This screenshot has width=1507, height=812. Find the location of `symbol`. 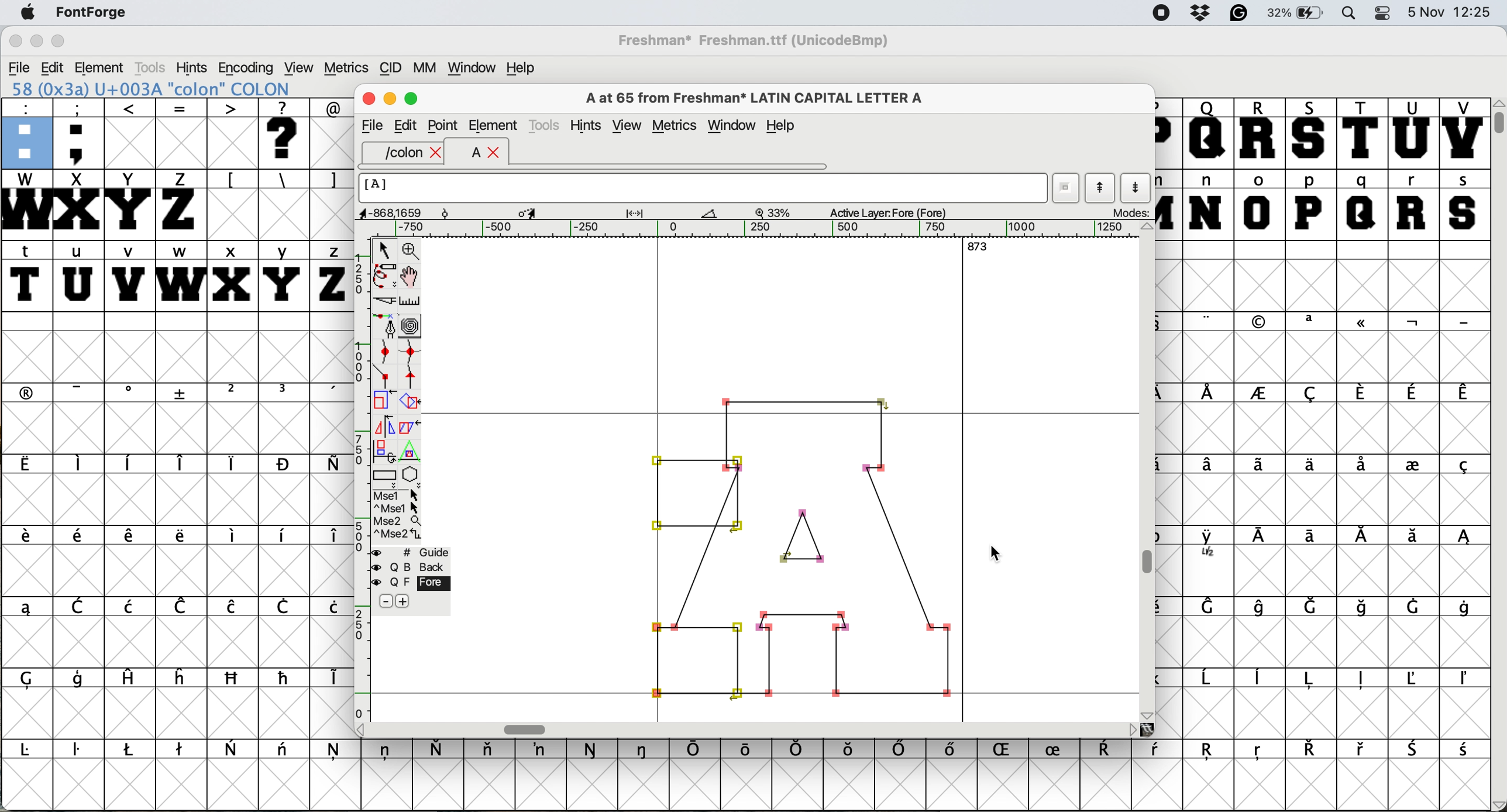

symbol is located at coordinates (131, 749).